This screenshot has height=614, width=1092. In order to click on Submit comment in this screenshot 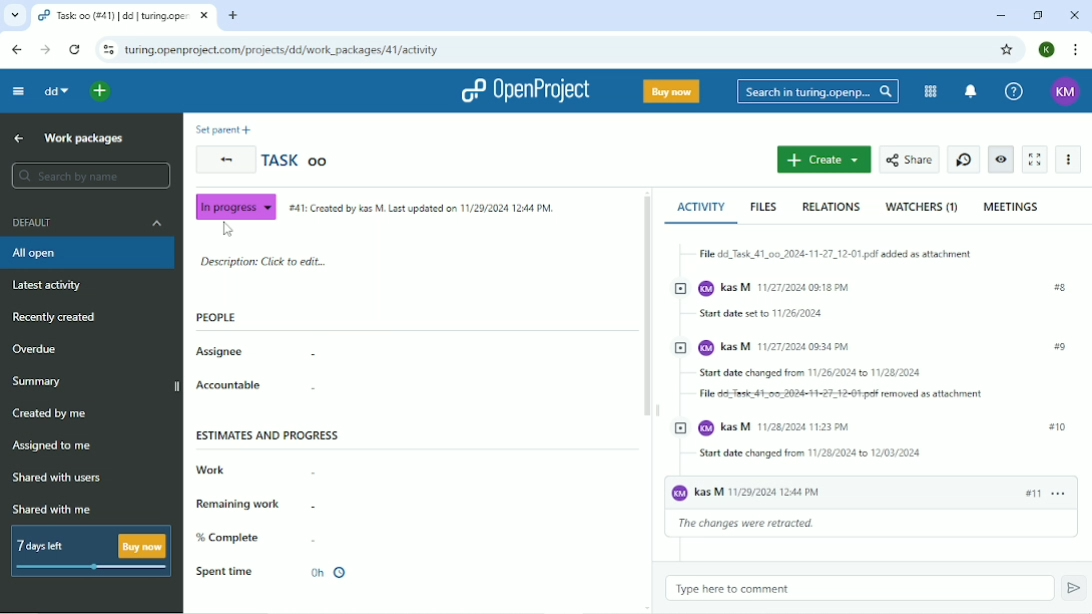, I will do `click(1076, 589)`.